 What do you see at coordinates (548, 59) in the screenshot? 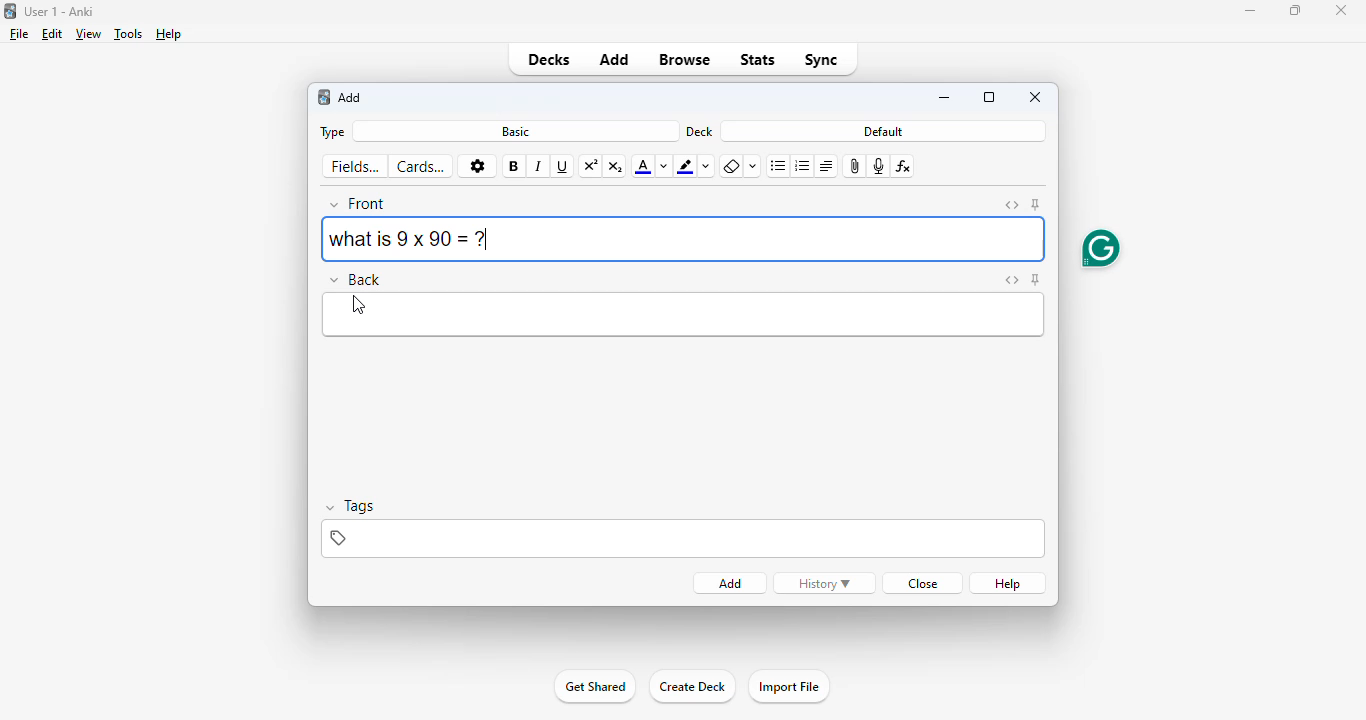
I see `decks` at bounding box center [548, 59].